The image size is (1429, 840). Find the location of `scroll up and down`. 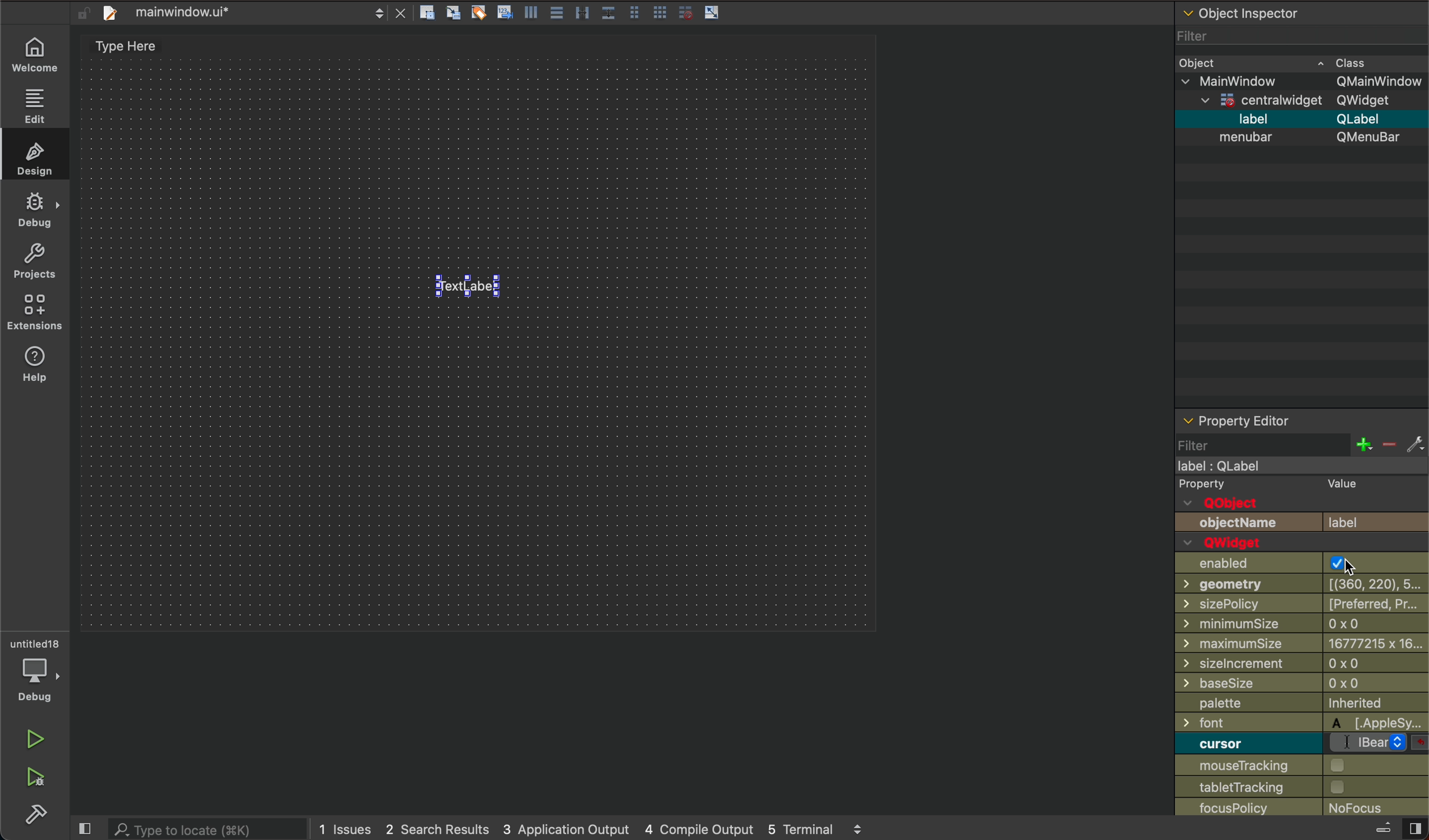

scroll up and down is located at coordinates (859, 828).